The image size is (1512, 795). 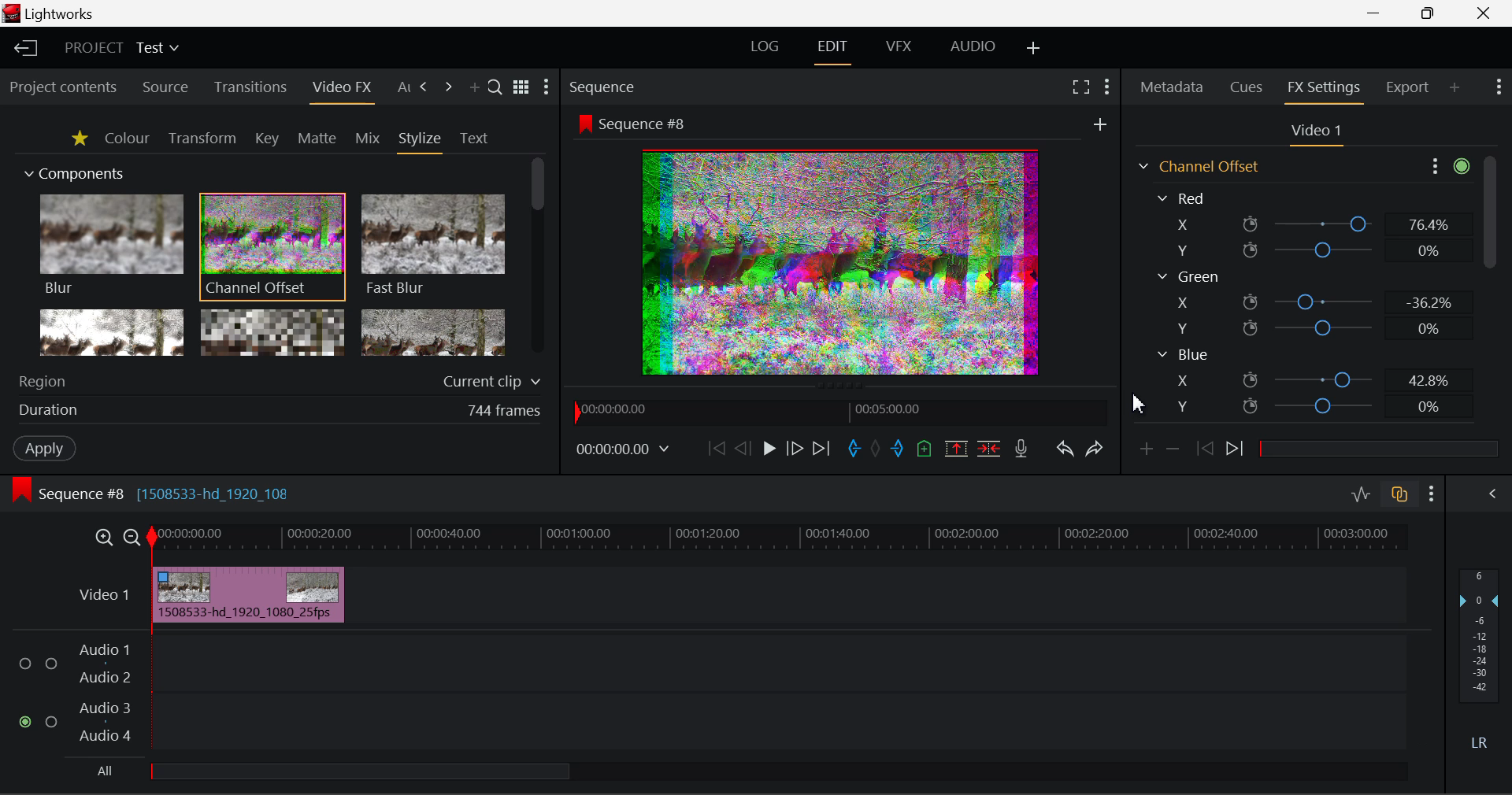 I want to click on Redo, so click(x=1095, y=452).